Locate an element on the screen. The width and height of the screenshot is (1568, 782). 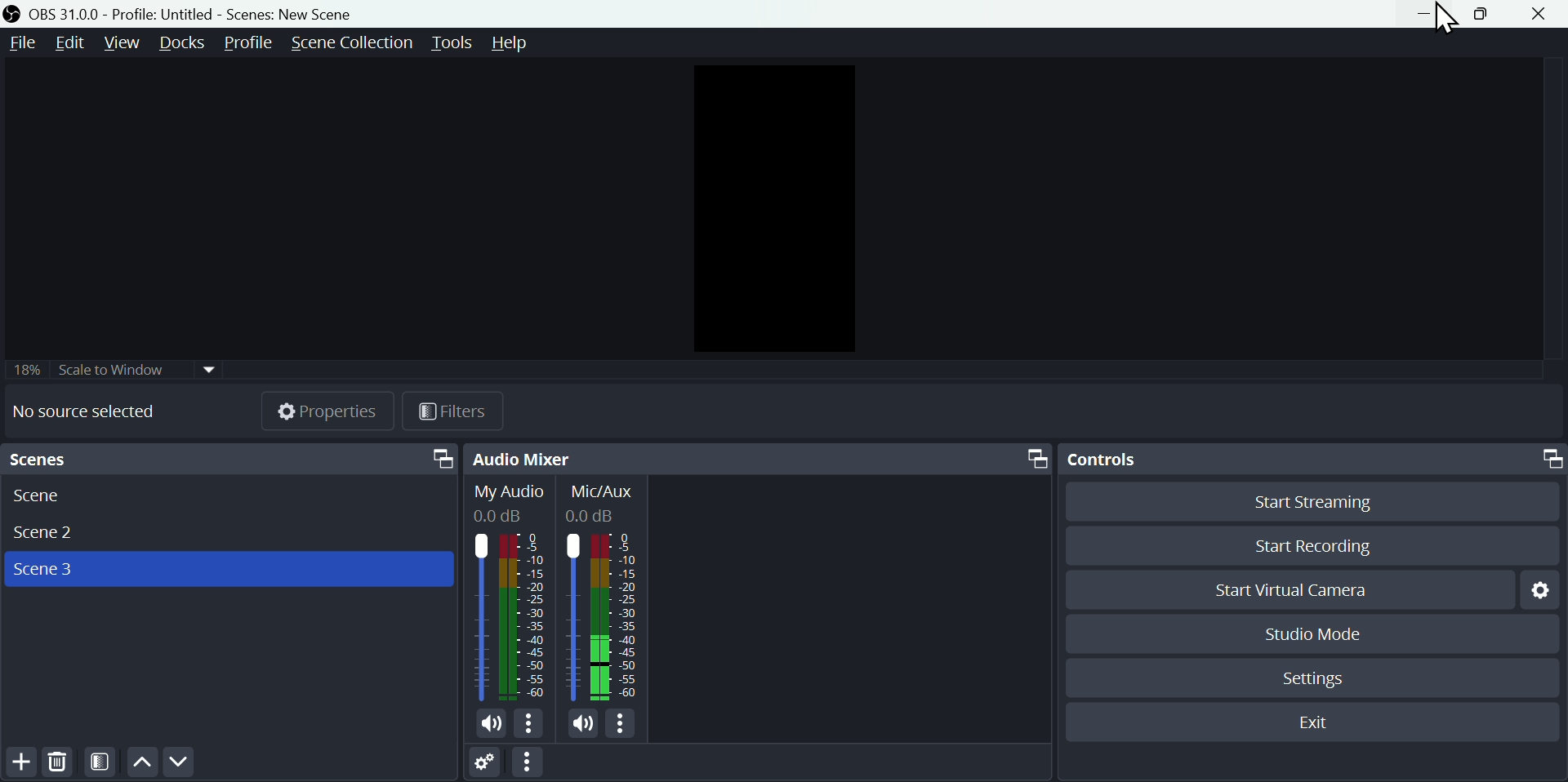
Profile is located at coordinates (249, 44).